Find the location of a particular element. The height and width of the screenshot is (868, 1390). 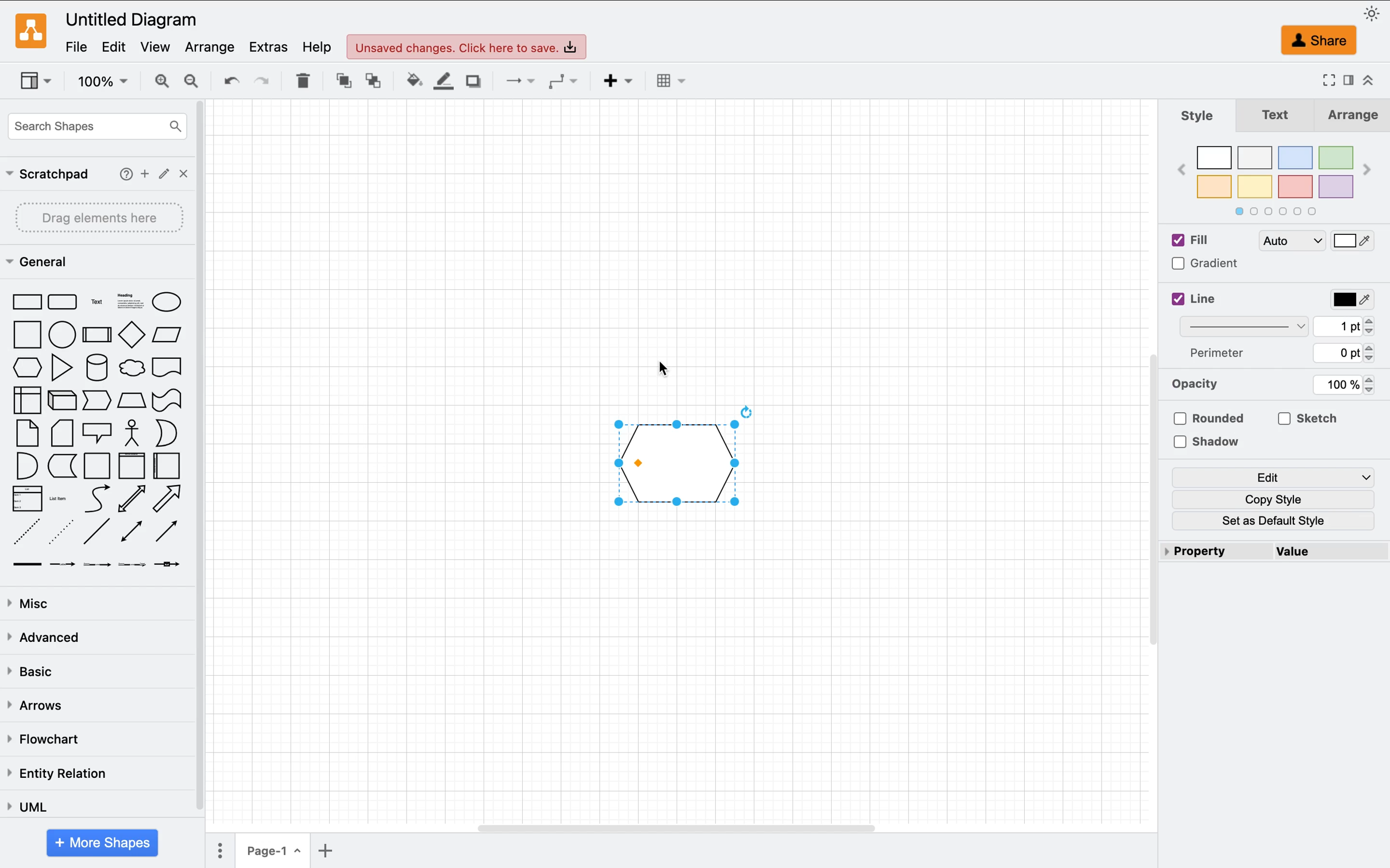

fullscreen is located at coordinates (1326, 82).